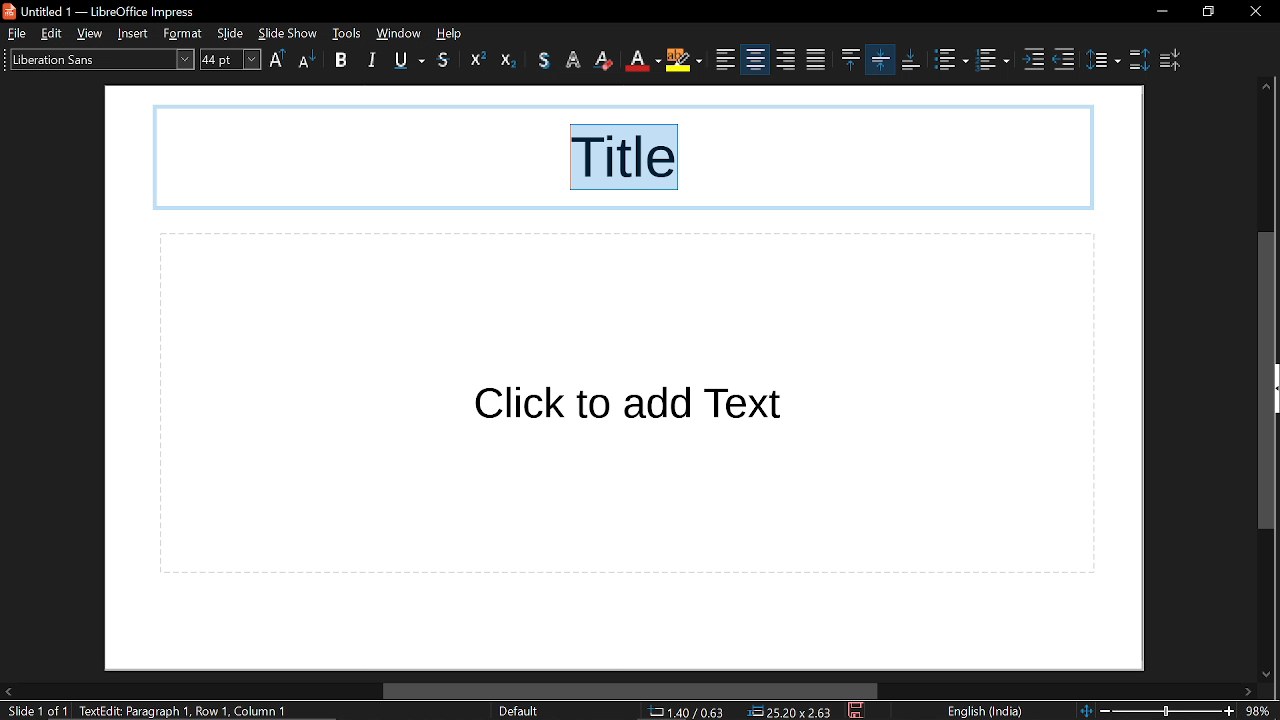  What do you see at coordinates (508, 60) in the screenshot?
I see `subscript` at bounding box center [508, 60].